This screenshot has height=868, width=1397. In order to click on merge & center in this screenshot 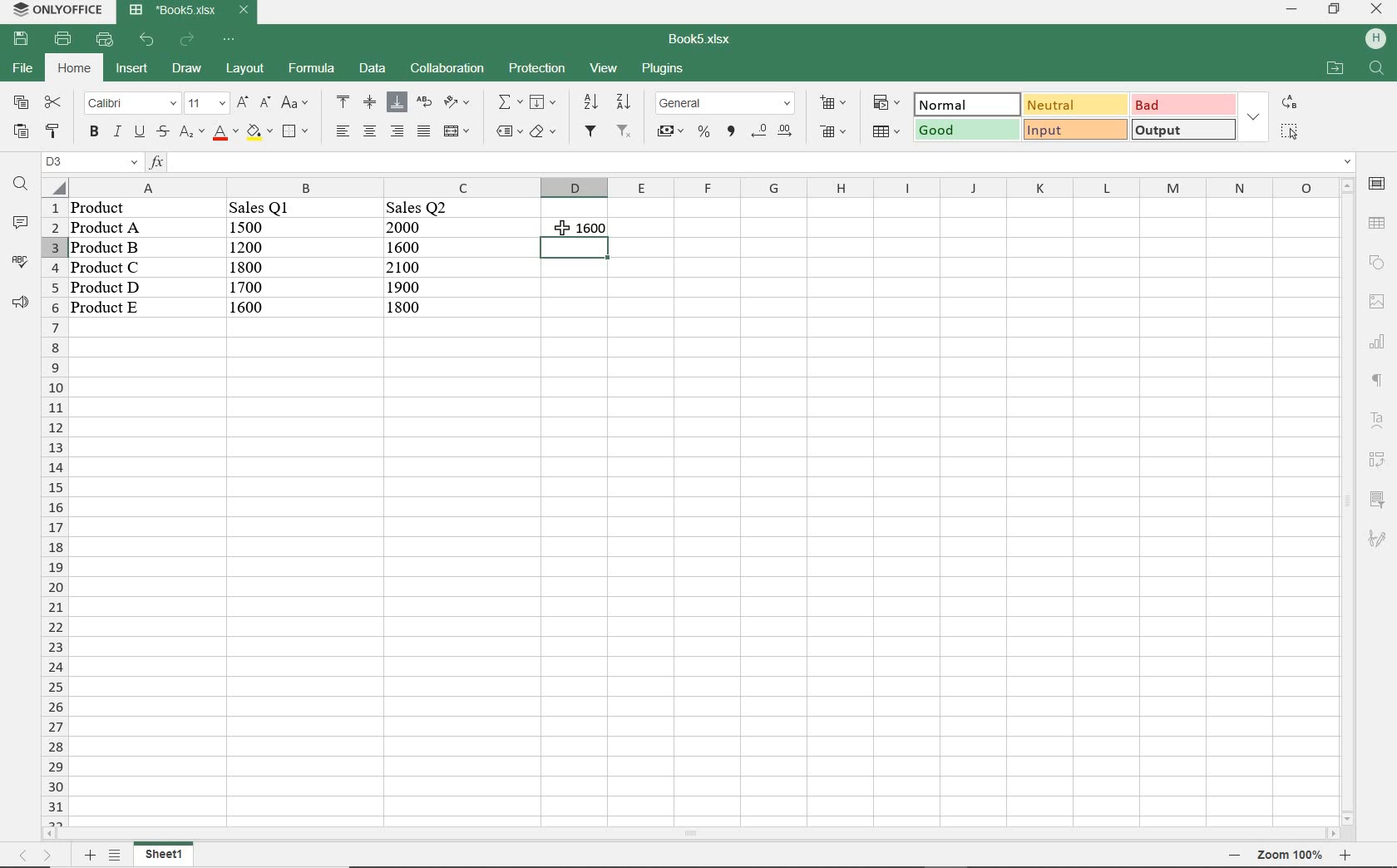, I will do `click(457, 133)`.